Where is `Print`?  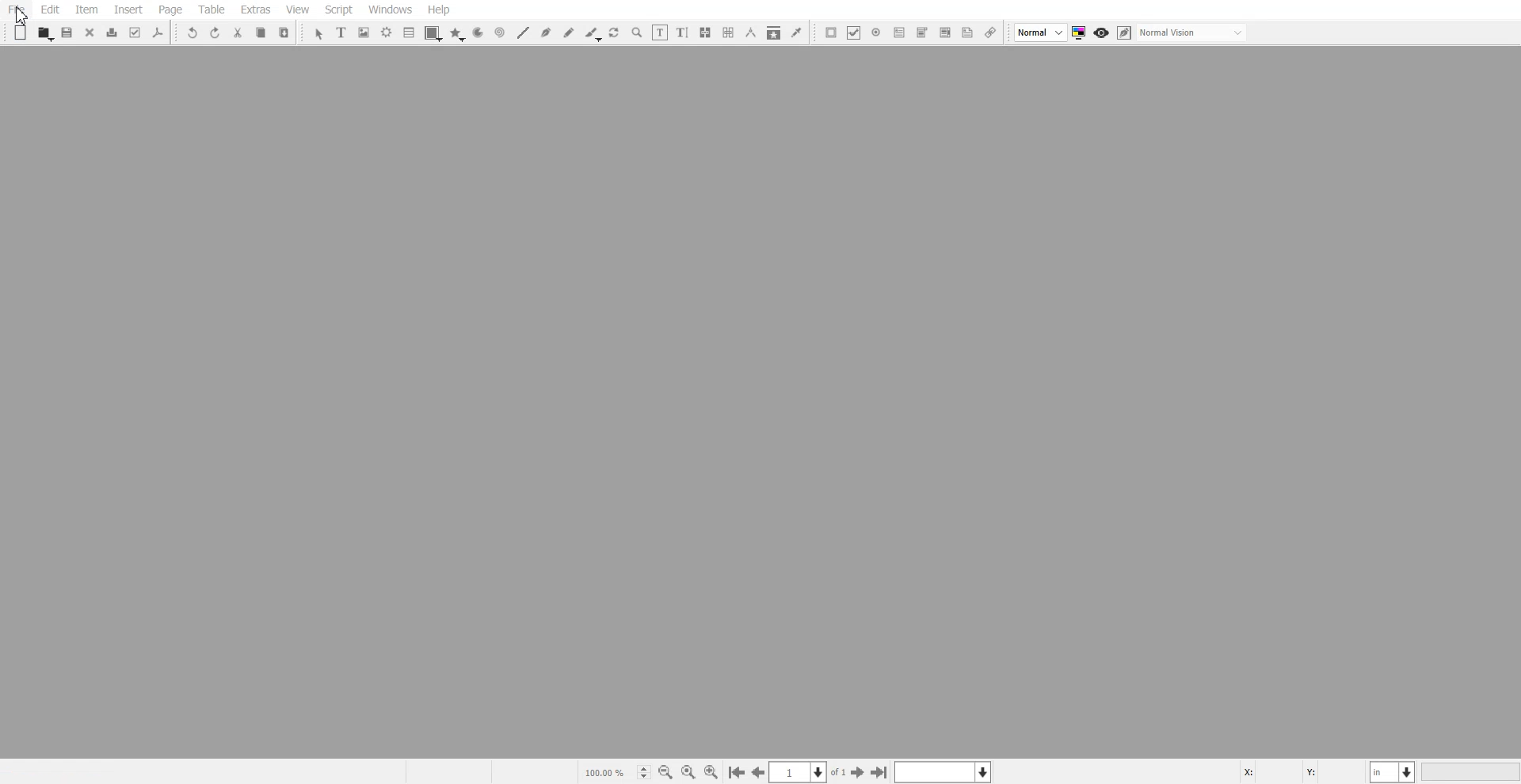
Print is located at coordinates (112, 32).